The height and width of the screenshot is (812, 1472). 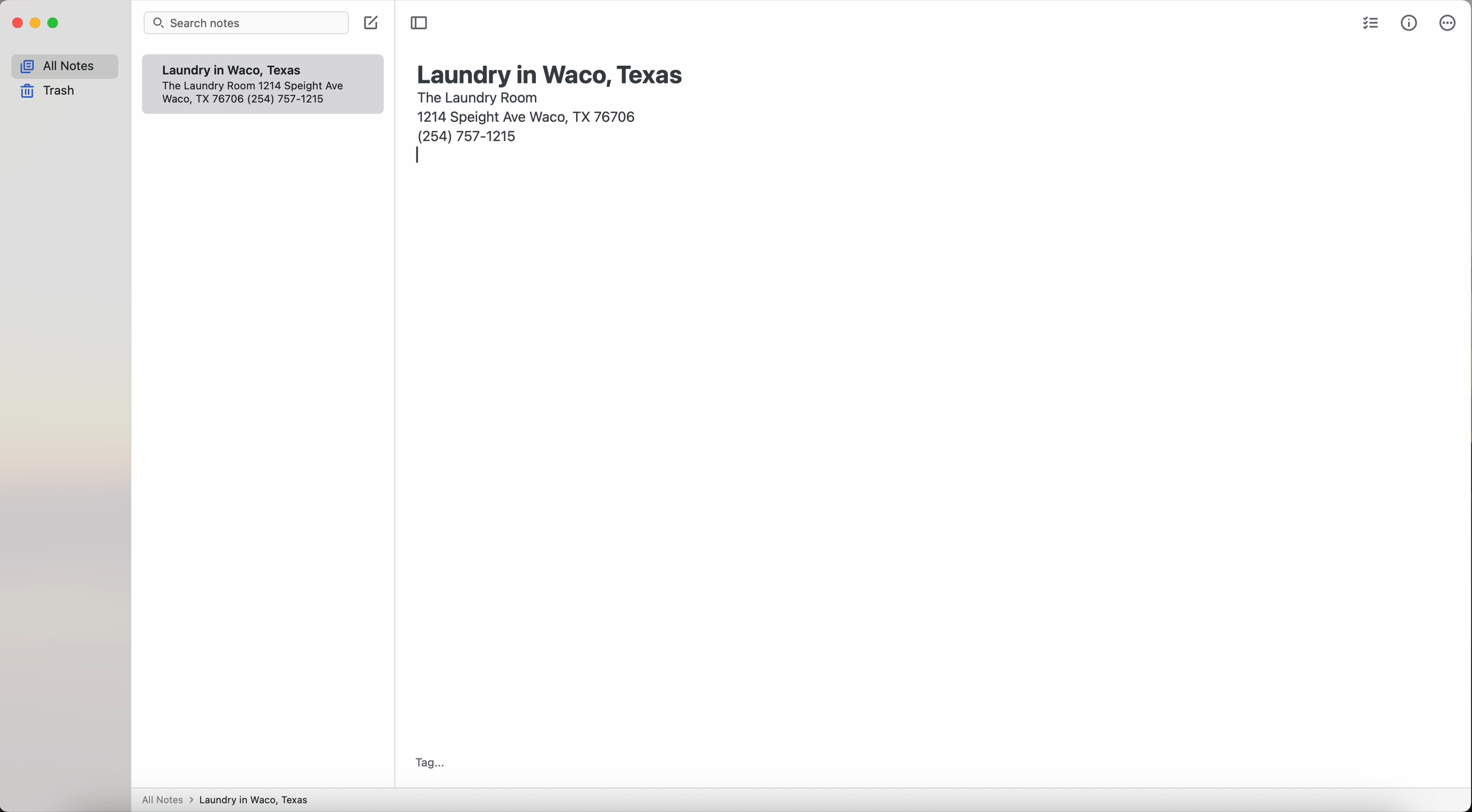 I want to click on search bar, so click(x=249, y=24).